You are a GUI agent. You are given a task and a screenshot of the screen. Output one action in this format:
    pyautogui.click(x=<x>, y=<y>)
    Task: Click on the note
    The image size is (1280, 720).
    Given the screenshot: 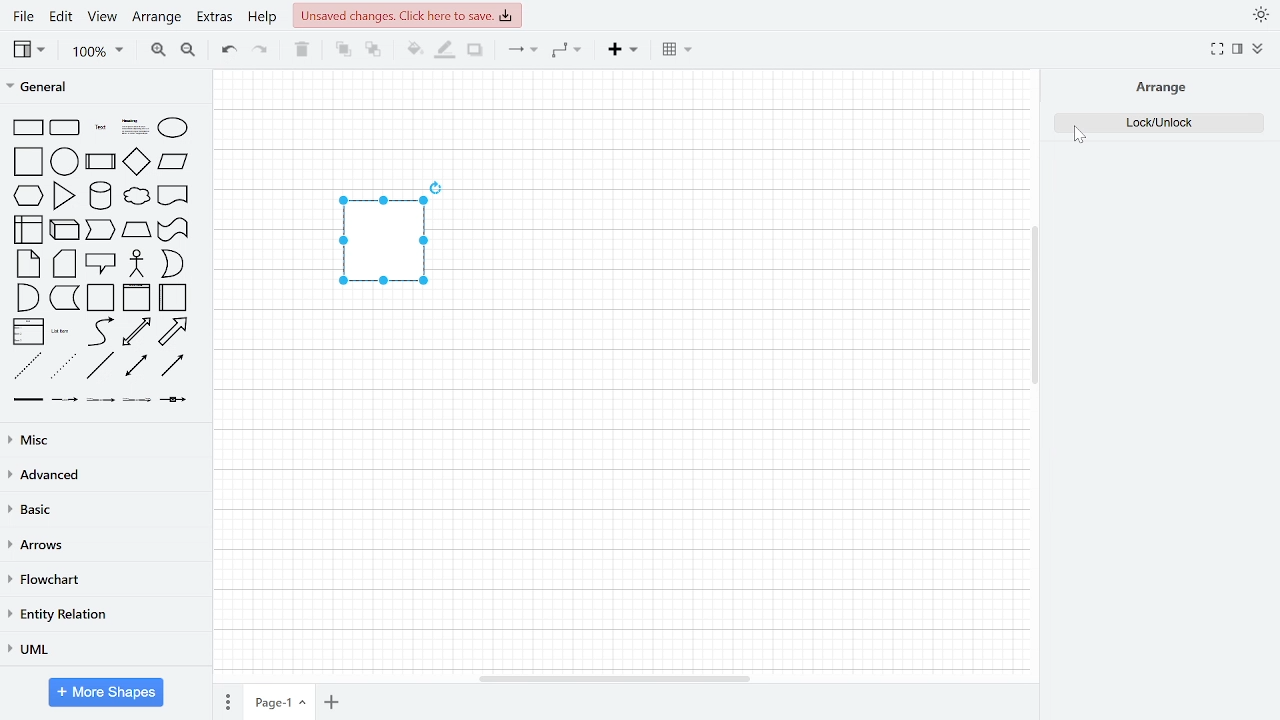 What is the action you would take?
    pyautogui.click(x=27, y=264)
    